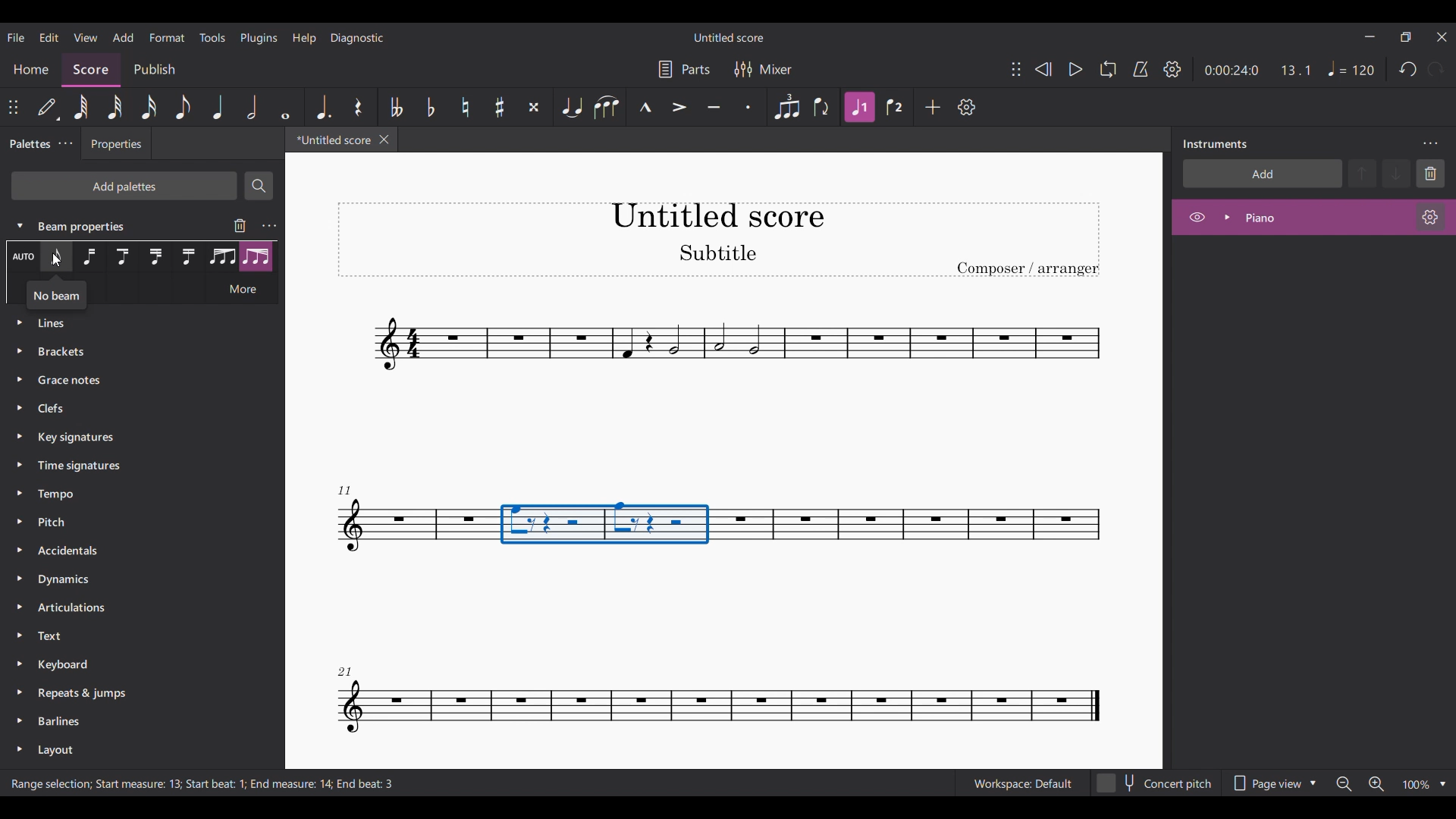  I want to click on Delete, so click(1430, 174).